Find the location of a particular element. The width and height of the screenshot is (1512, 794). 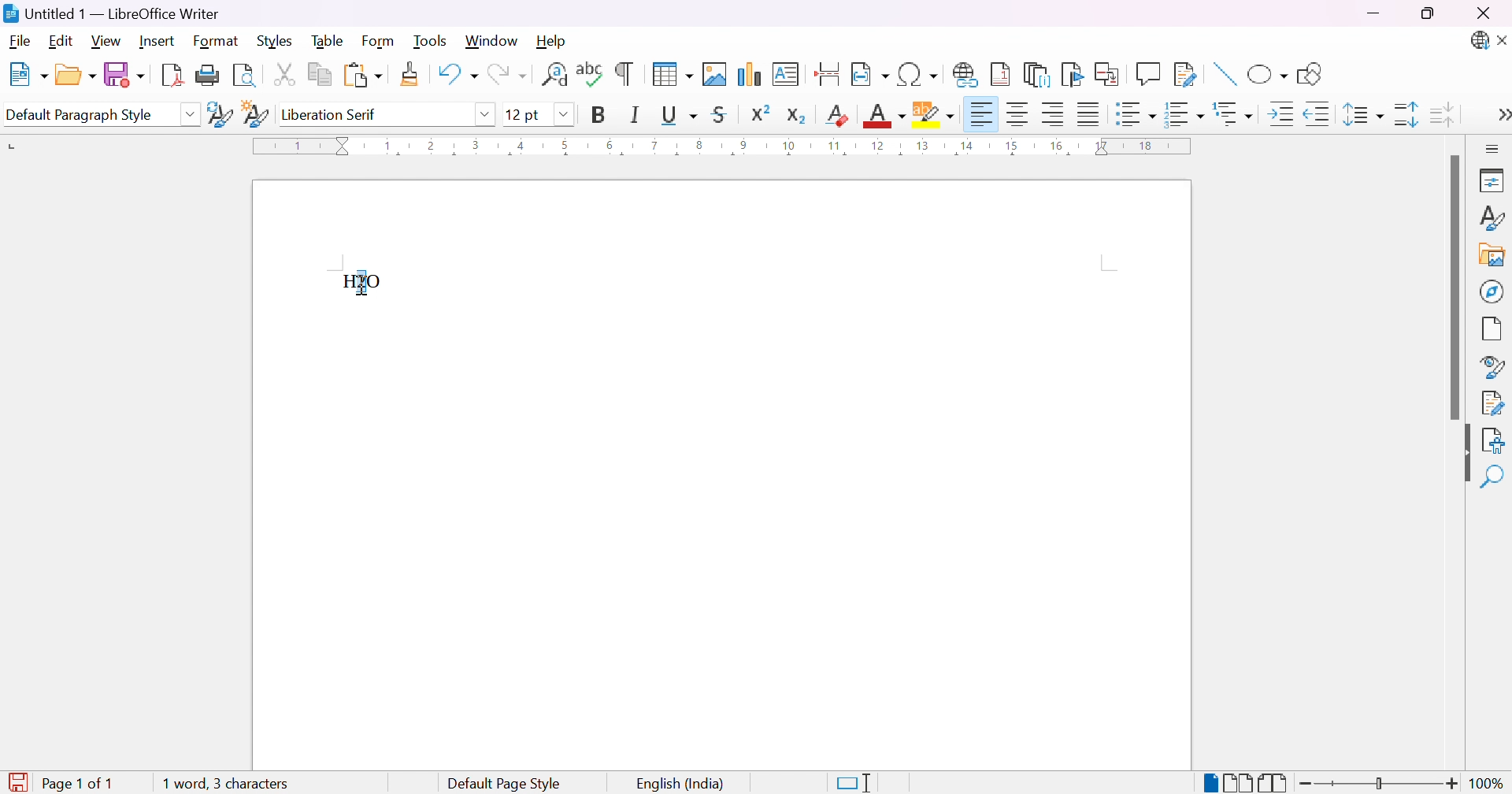

Show draw functions is located at coordinates (1307, 74).